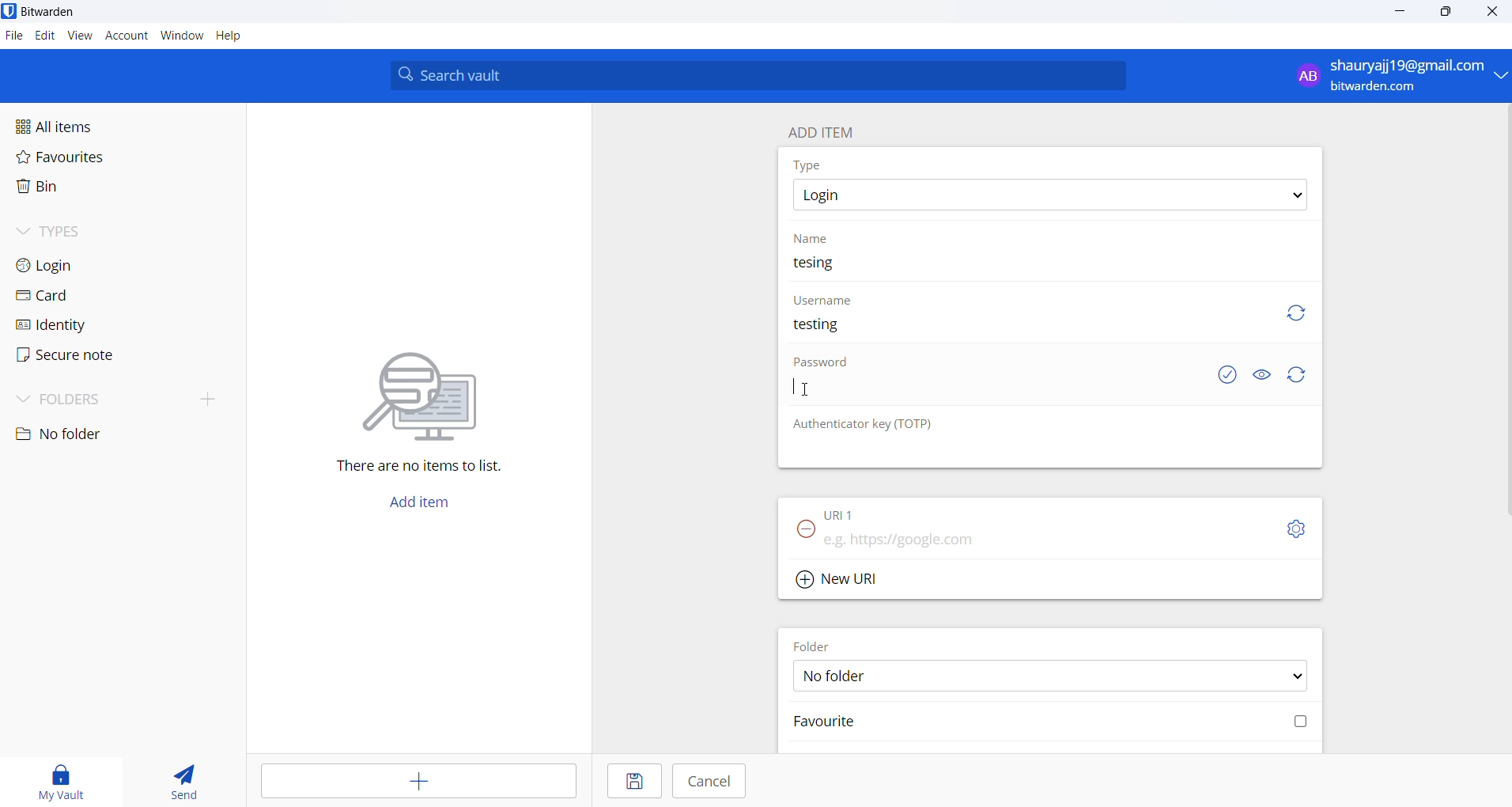 The image size is (1512, 807). Describe the element at coordinates (828, 129) in the screenshot. I see `ADD ITEM` at that location.